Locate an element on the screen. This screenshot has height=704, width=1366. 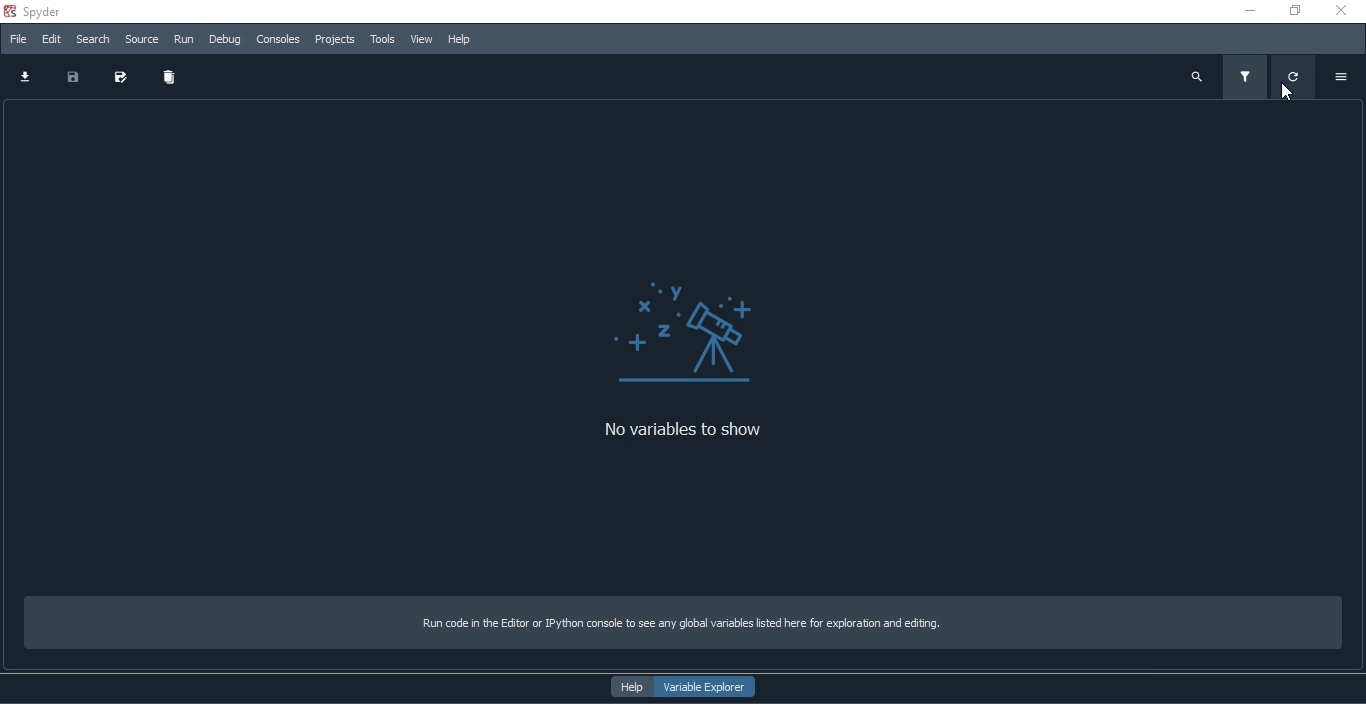
delete is located at coordinates (166, 79).